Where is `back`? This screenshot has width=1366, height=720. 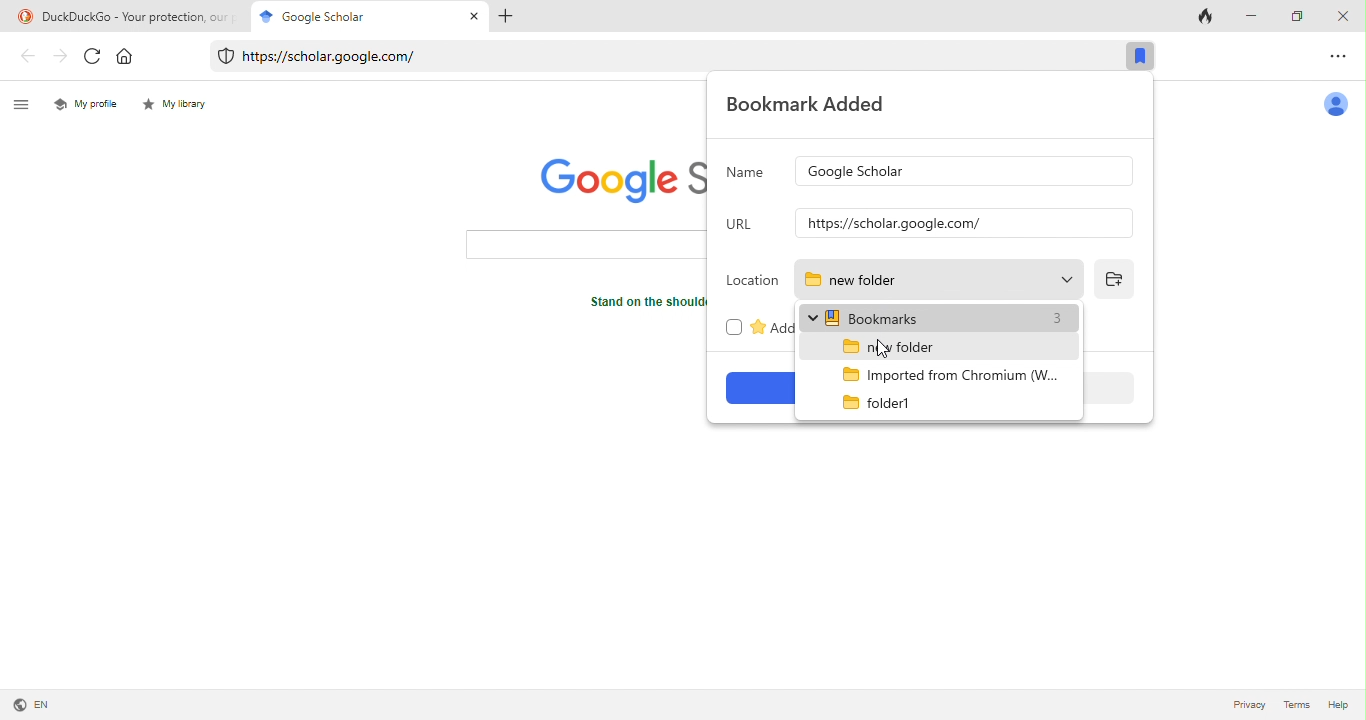 back is located at coordinates (24, 56).